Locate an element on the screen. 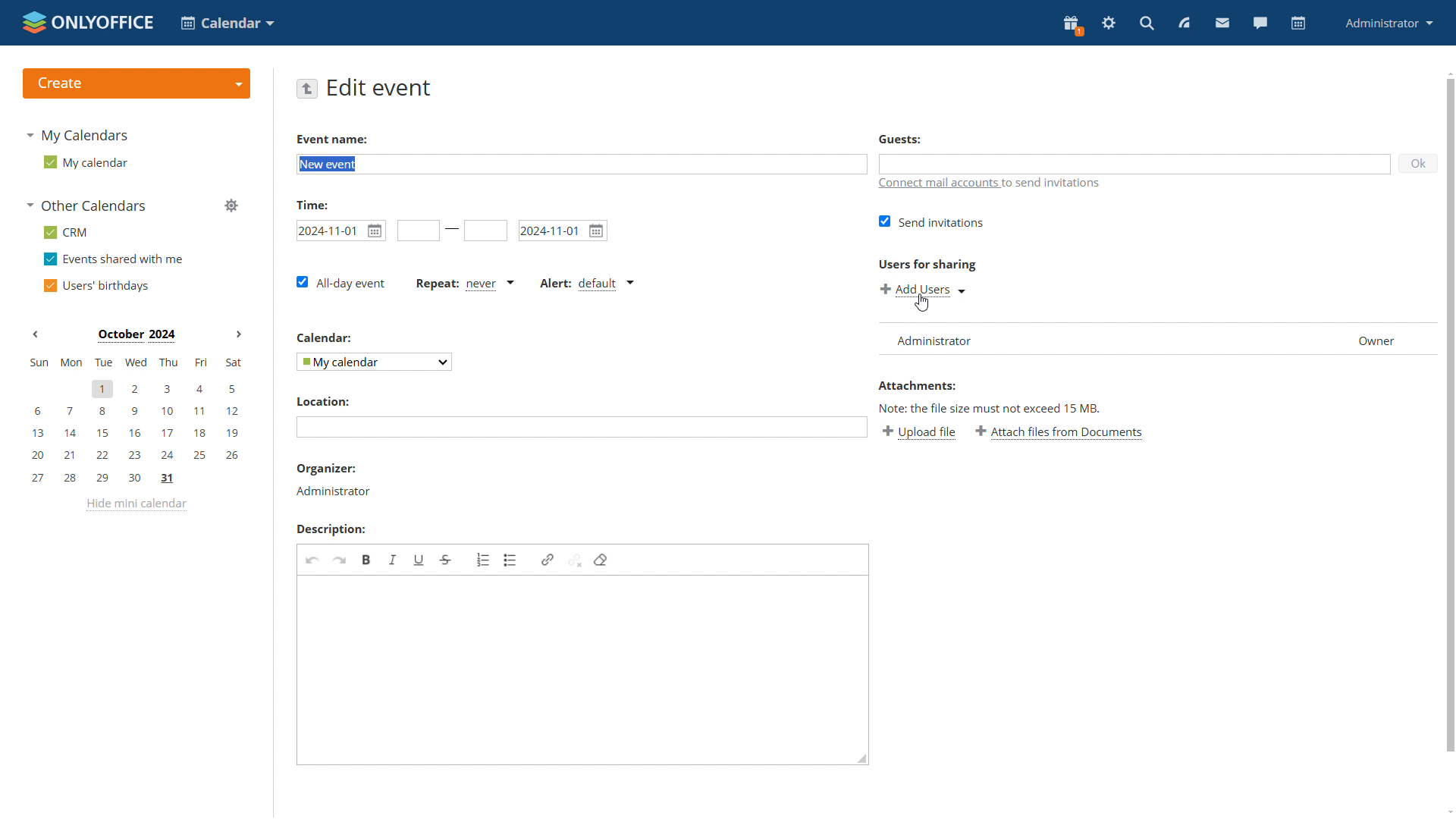  hide mini calendar is located at coordinates (139, 507).